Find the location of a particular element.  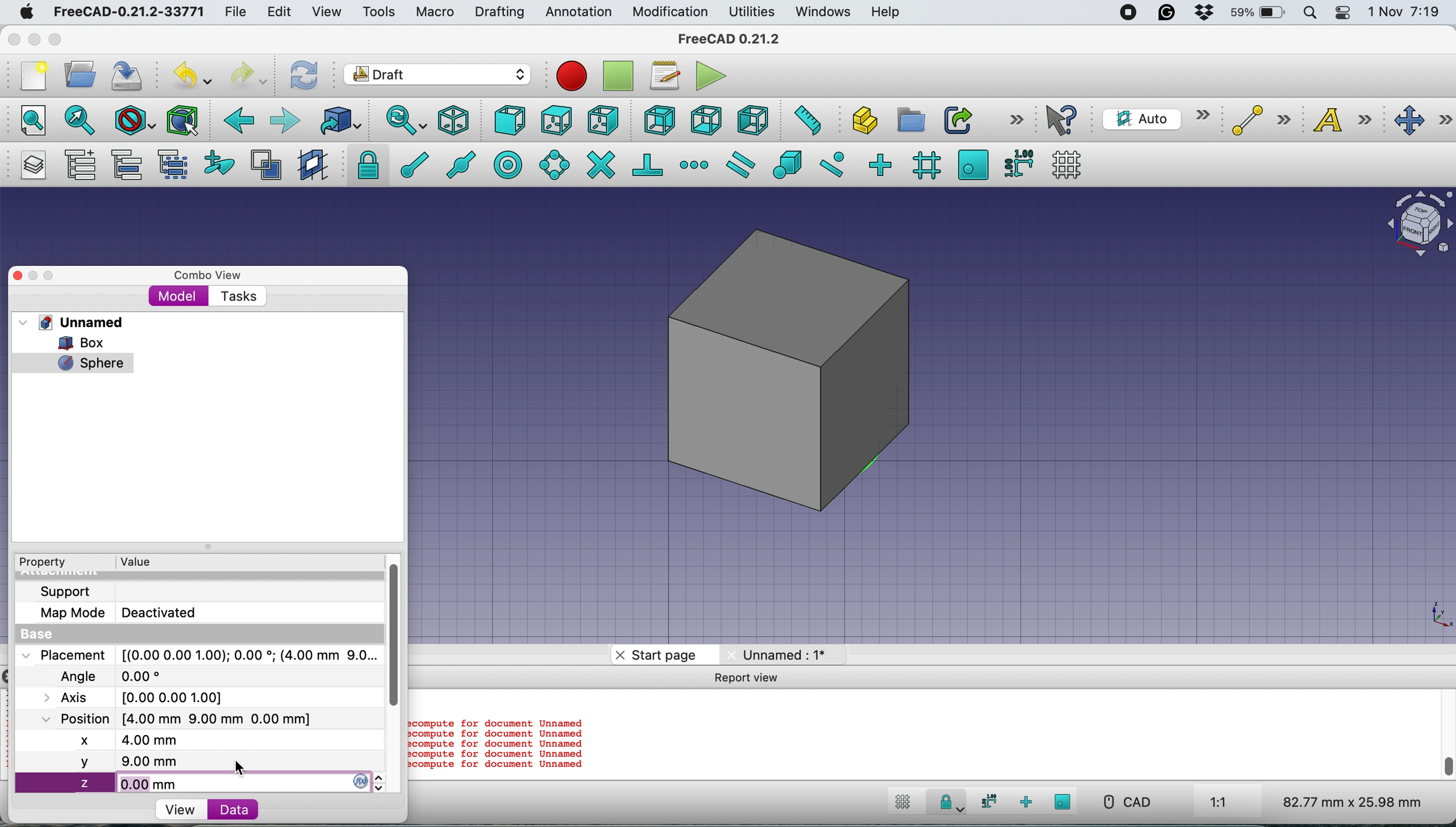

battery is located at coordinates (1254, 14).